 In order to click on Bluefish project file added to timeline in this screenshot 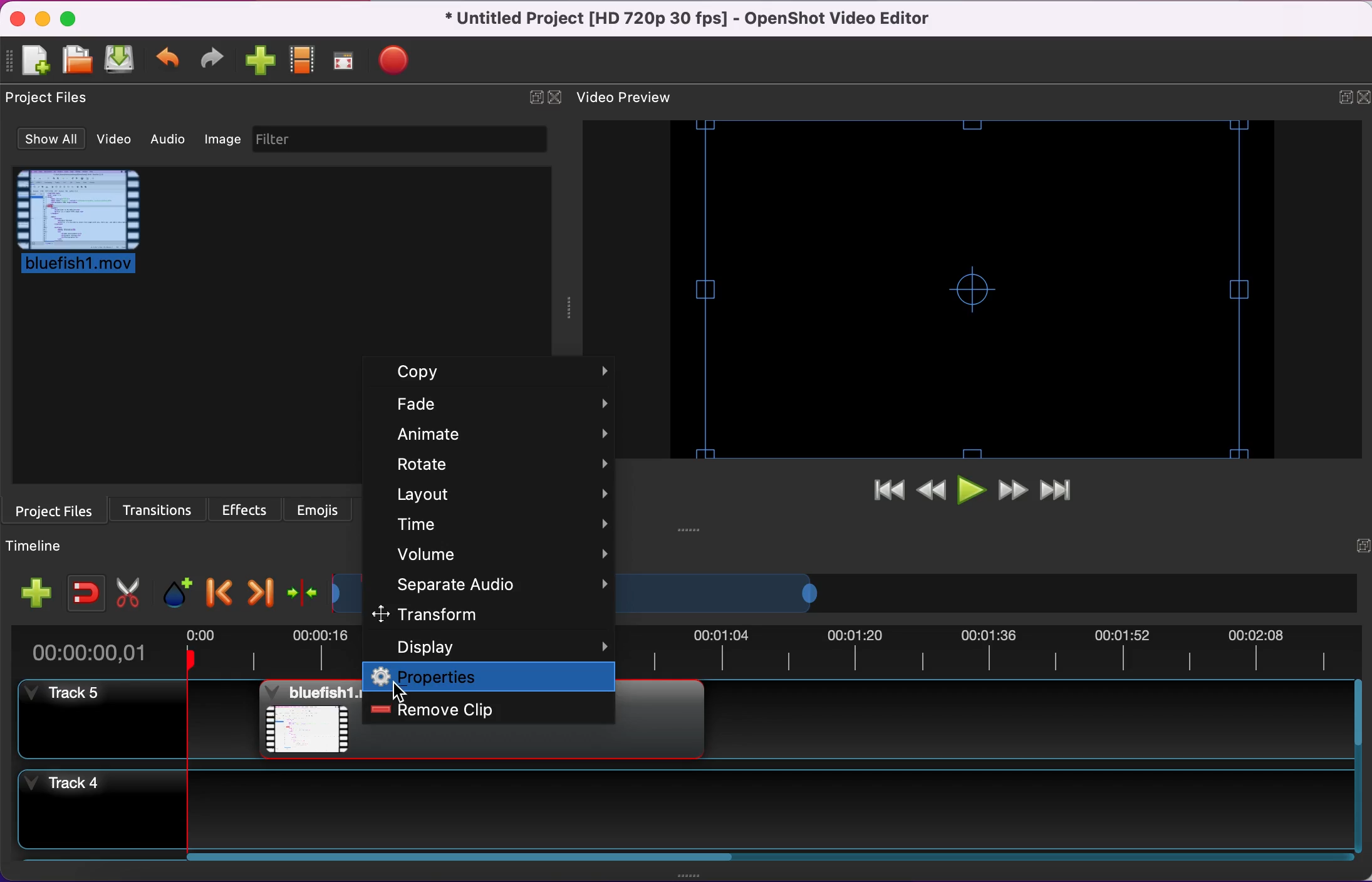, I will do `click(310, 719)`.